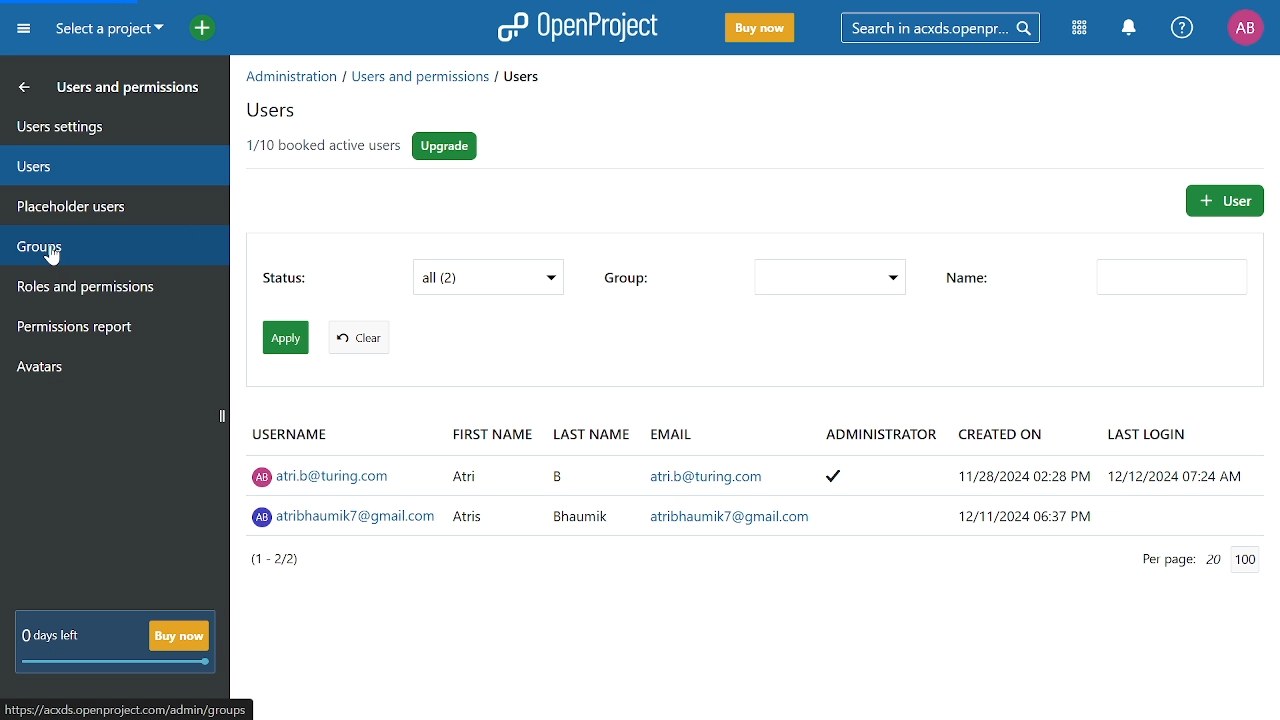  What do you see at coordinates (1245, 29) in the screenshot?
I see `current account "AB"` at bounding box center [1245, 29].